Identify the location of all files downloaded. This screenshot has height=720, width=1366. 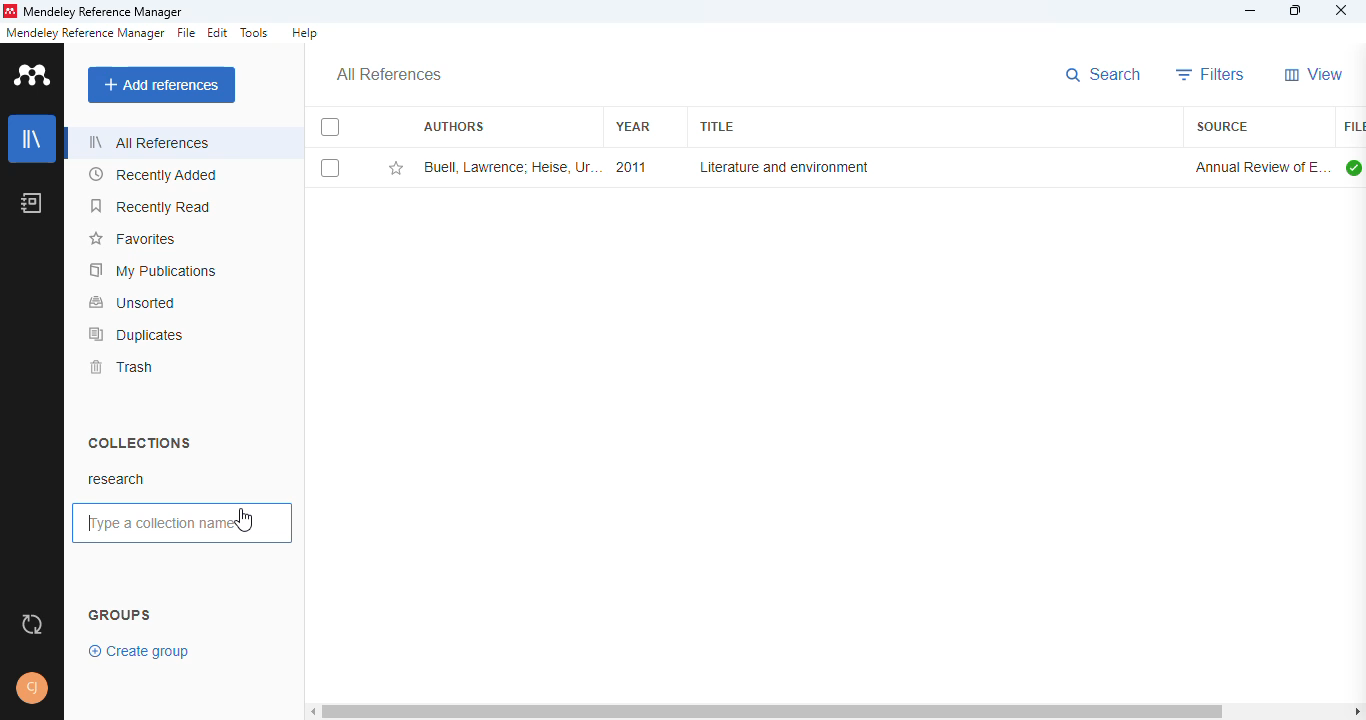
(1354, 167).